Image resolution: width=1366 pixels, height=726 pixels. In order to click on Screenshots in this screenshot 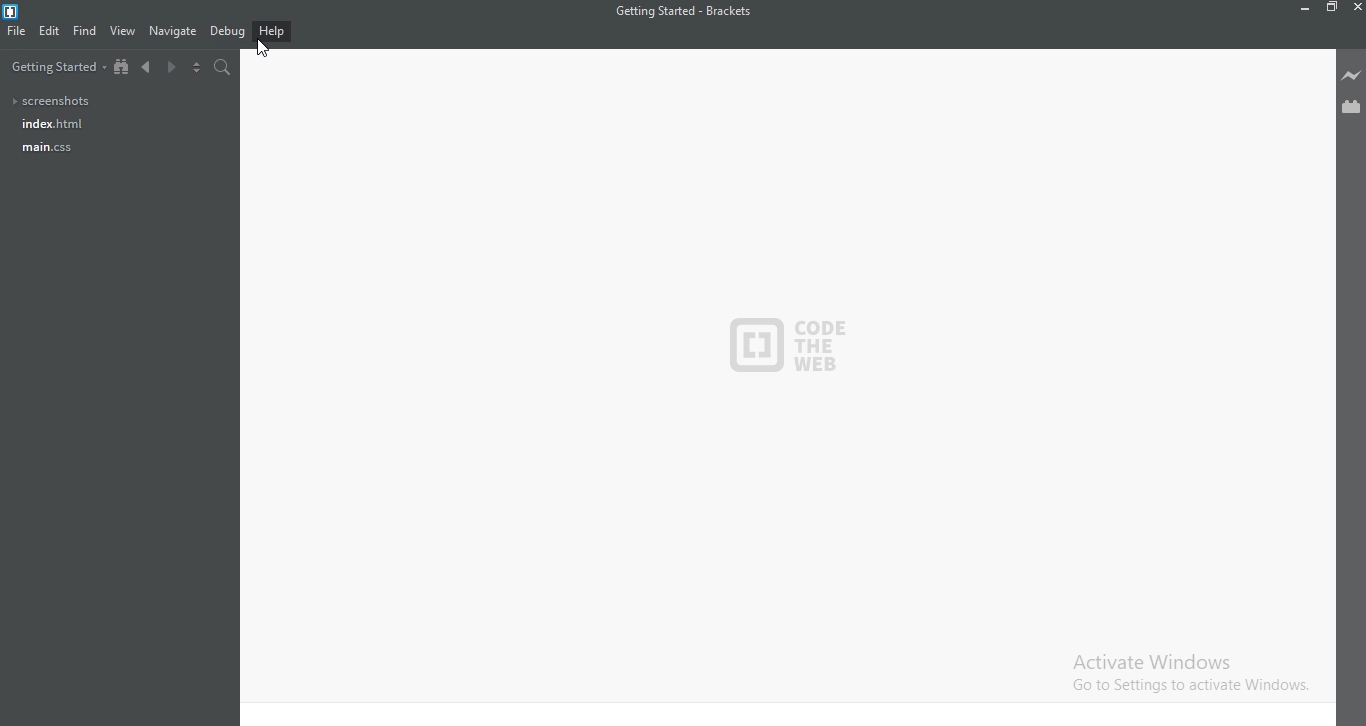, I will do `click(60, 103)`.